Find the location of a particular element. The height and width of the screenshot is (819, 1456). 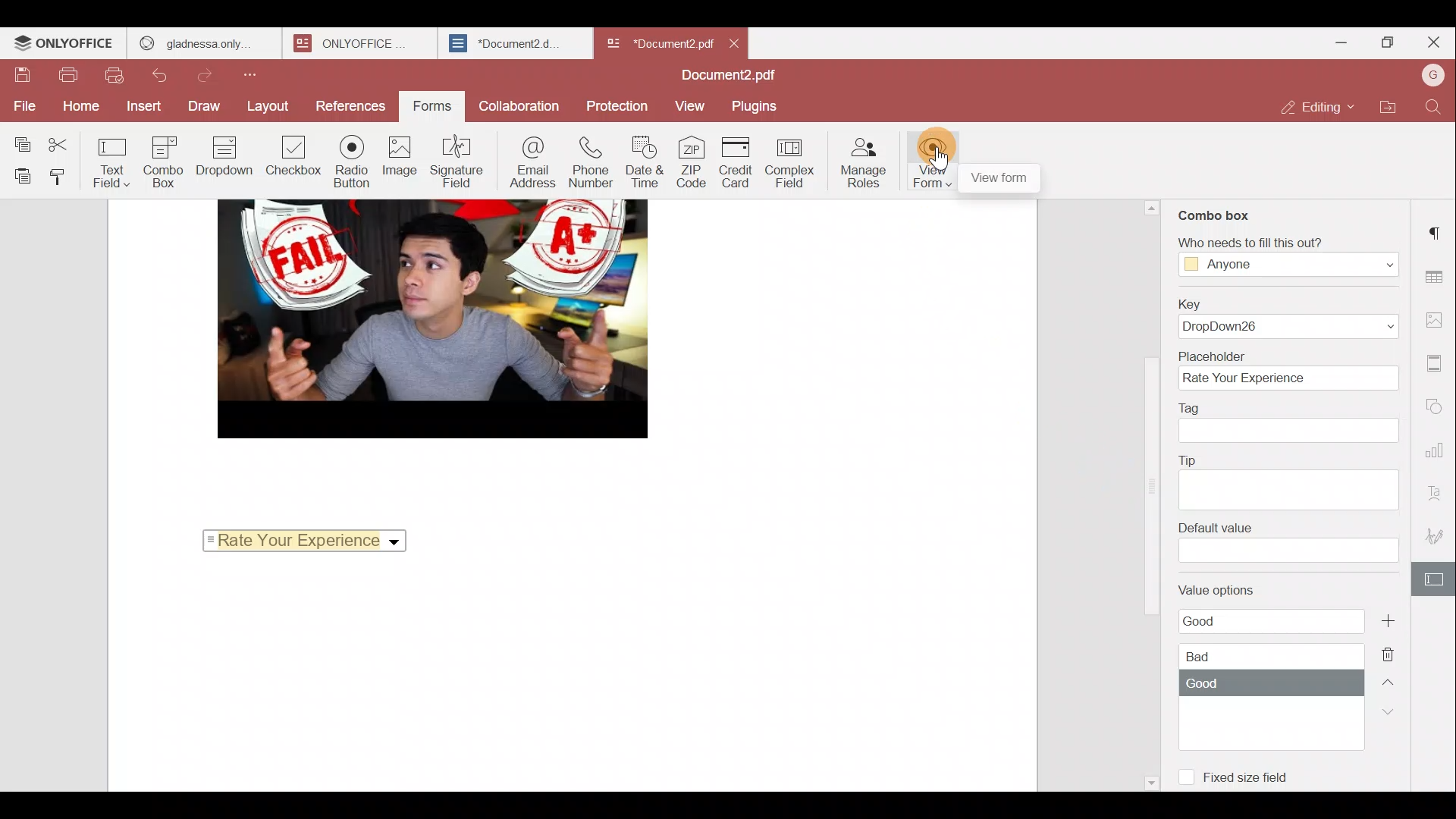

Email address is located at coordinates (531, 162).